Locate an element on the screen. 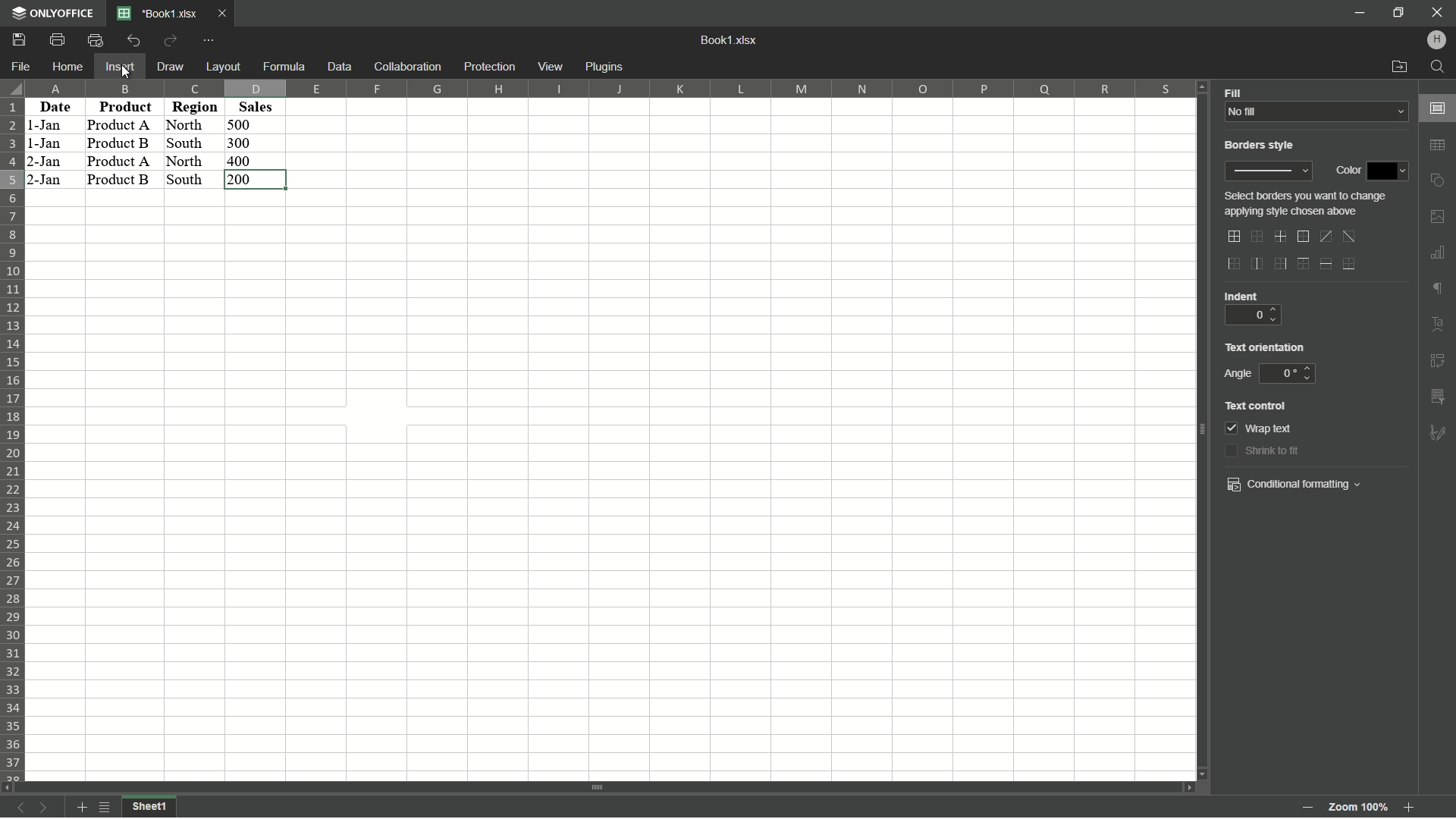 The image size is (1456, 819). scroll down is located at coordinates (1200, 774).